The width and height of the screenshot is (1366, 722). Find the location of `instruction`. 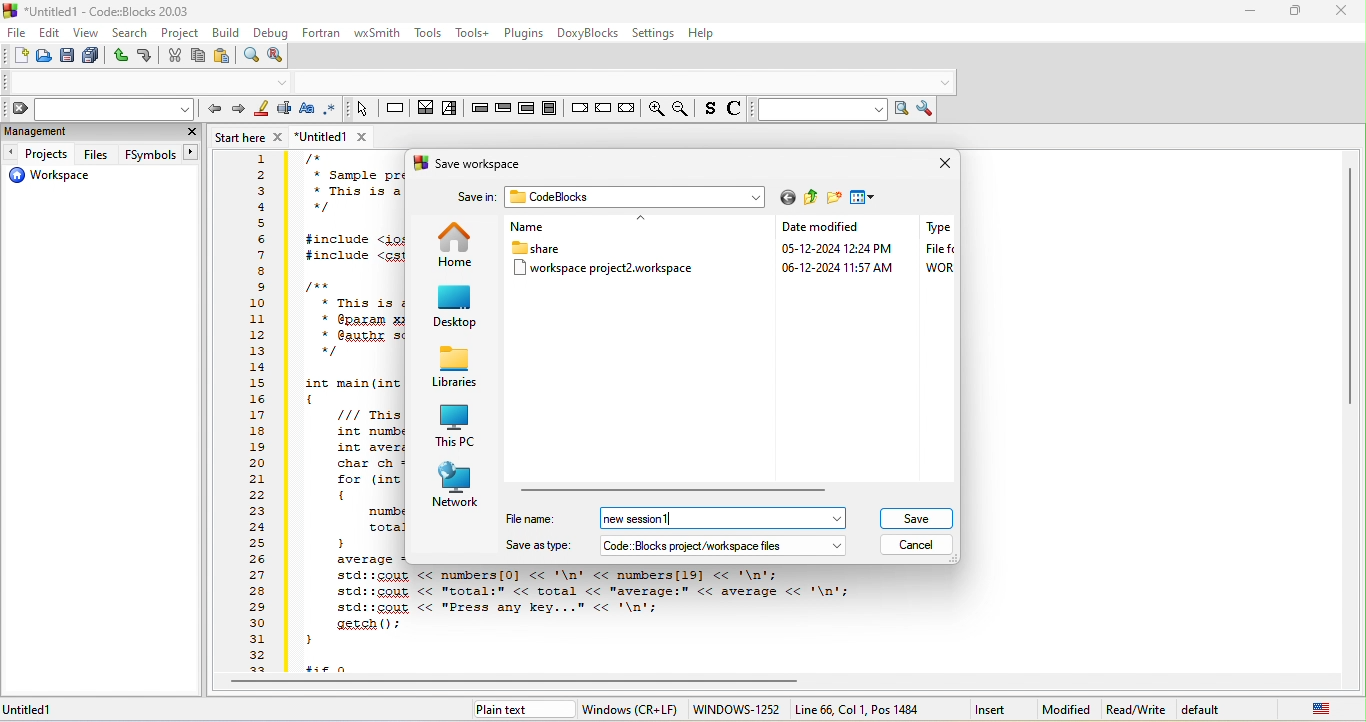

instruction is located at coordinates (395, 109).